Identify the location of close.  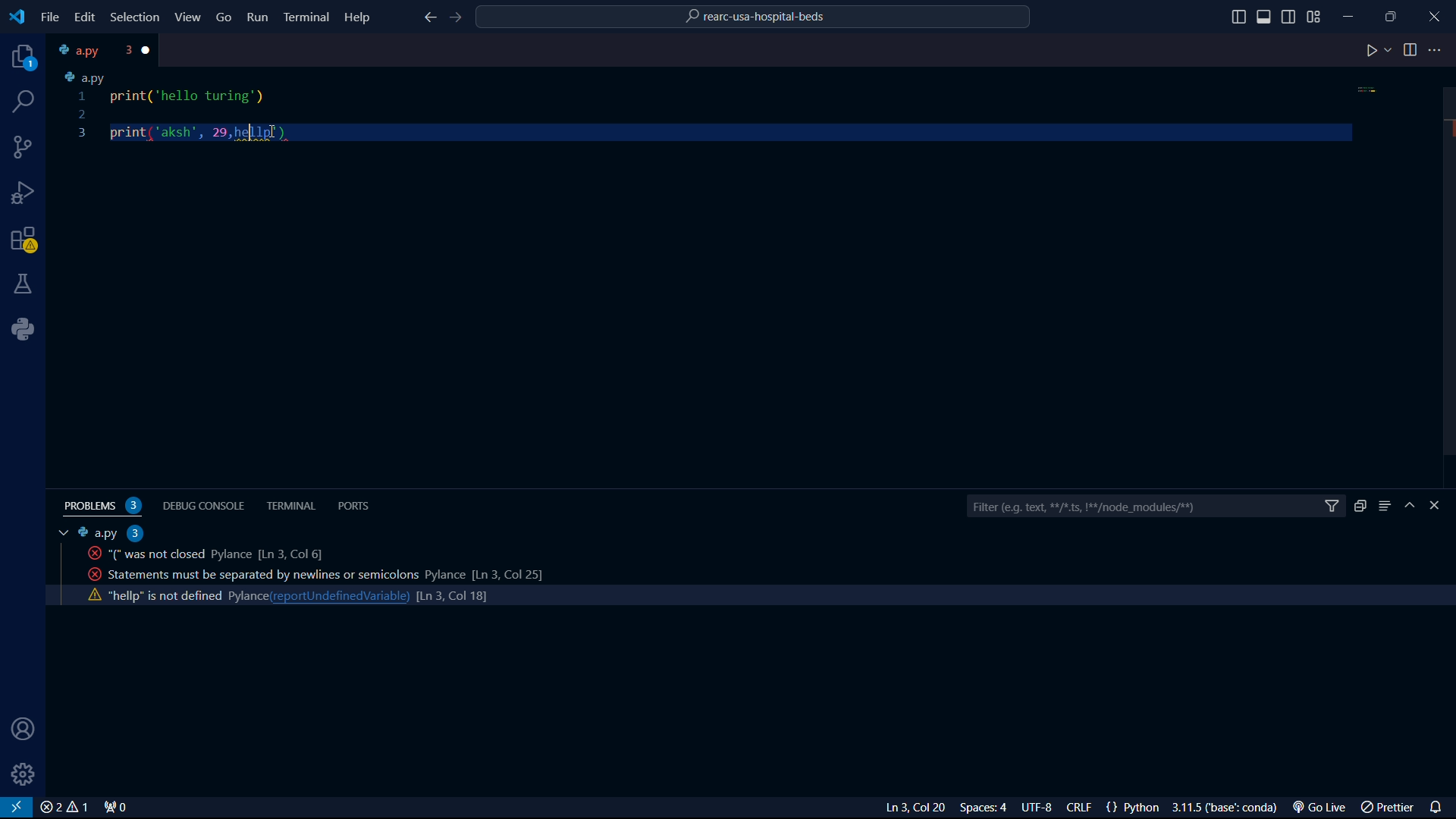
(64, 808).